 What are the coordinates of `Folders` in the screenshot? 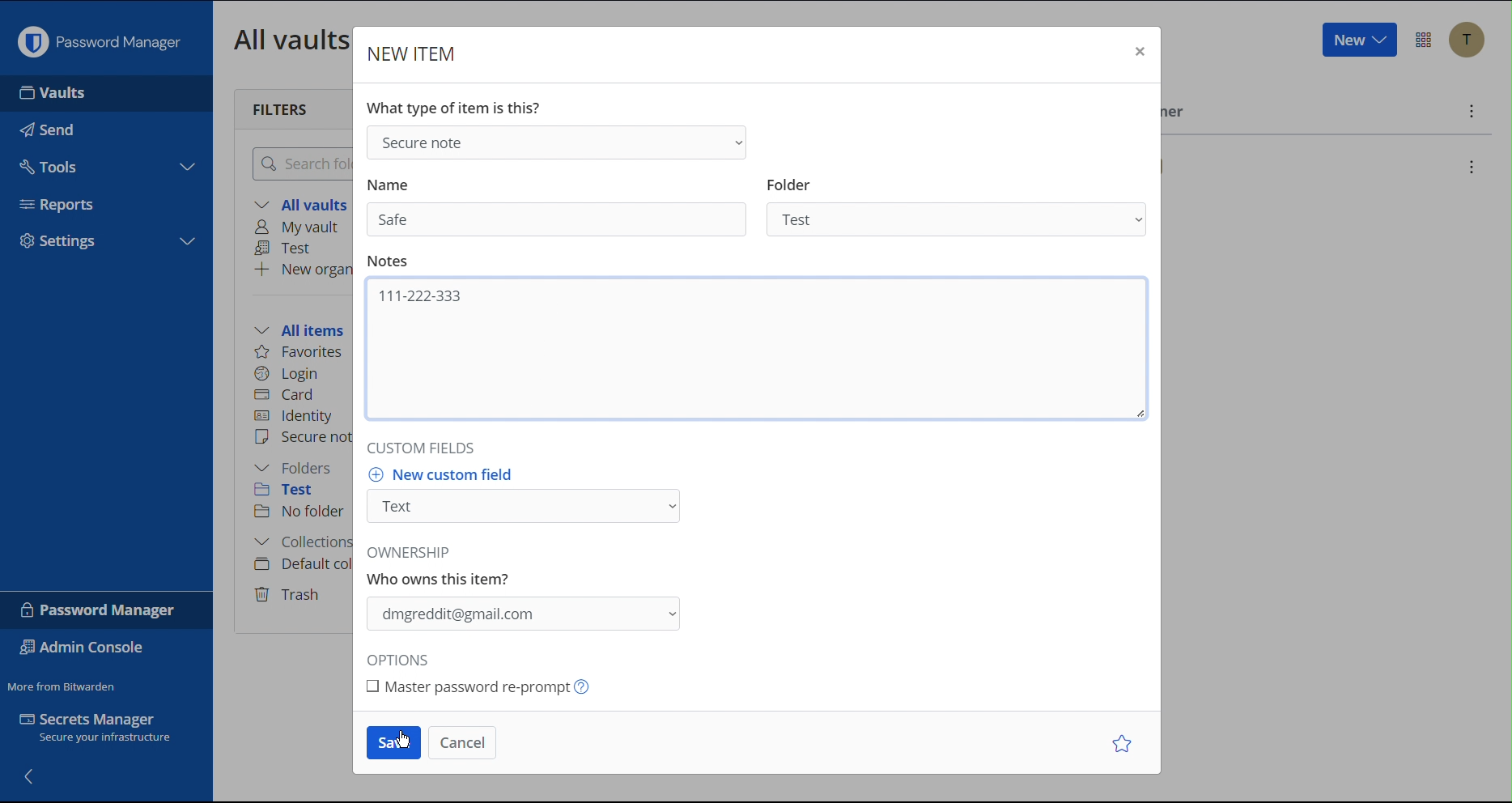 It's located at (297, 468).